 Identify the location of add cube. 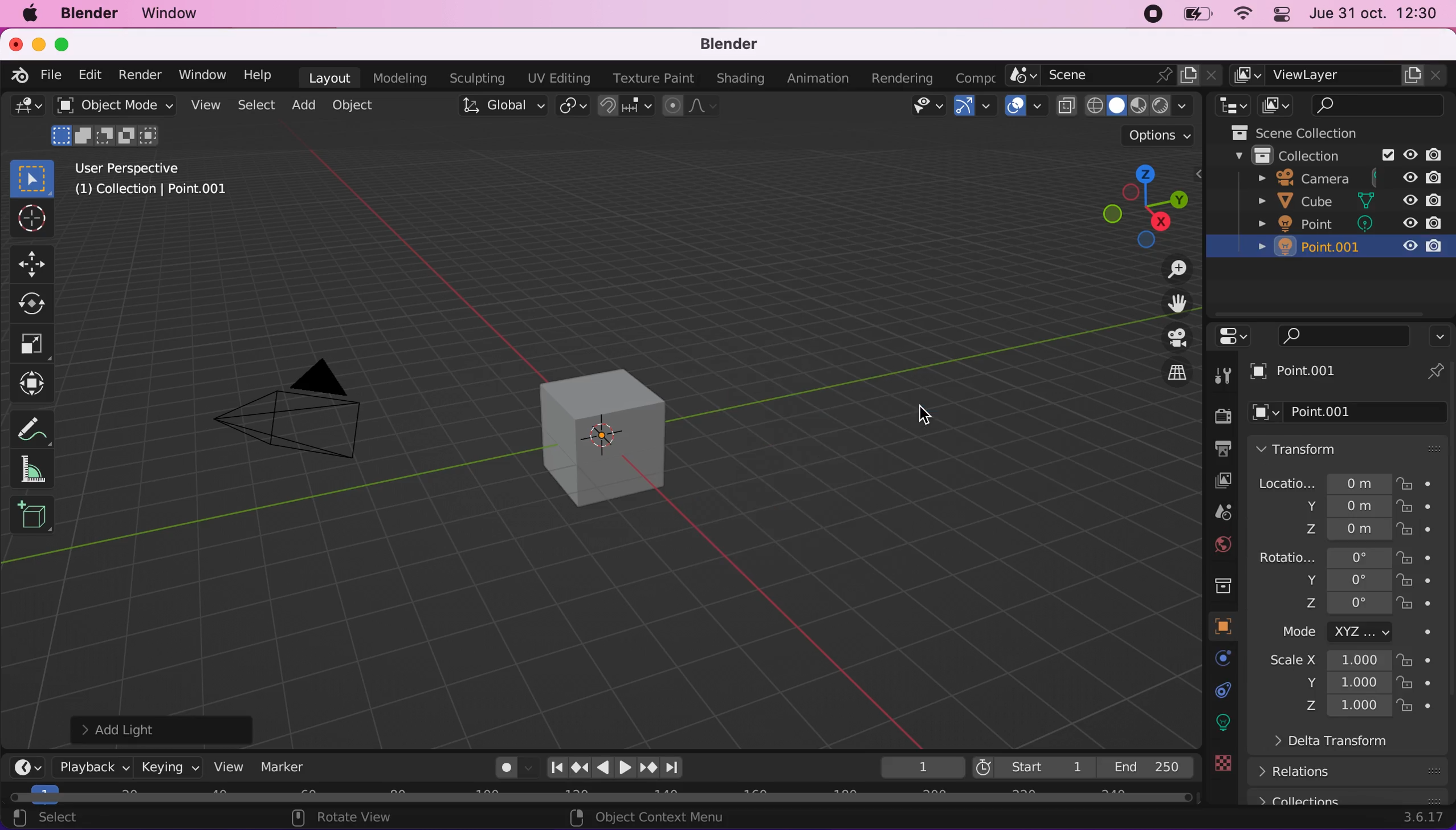
(36, 517).